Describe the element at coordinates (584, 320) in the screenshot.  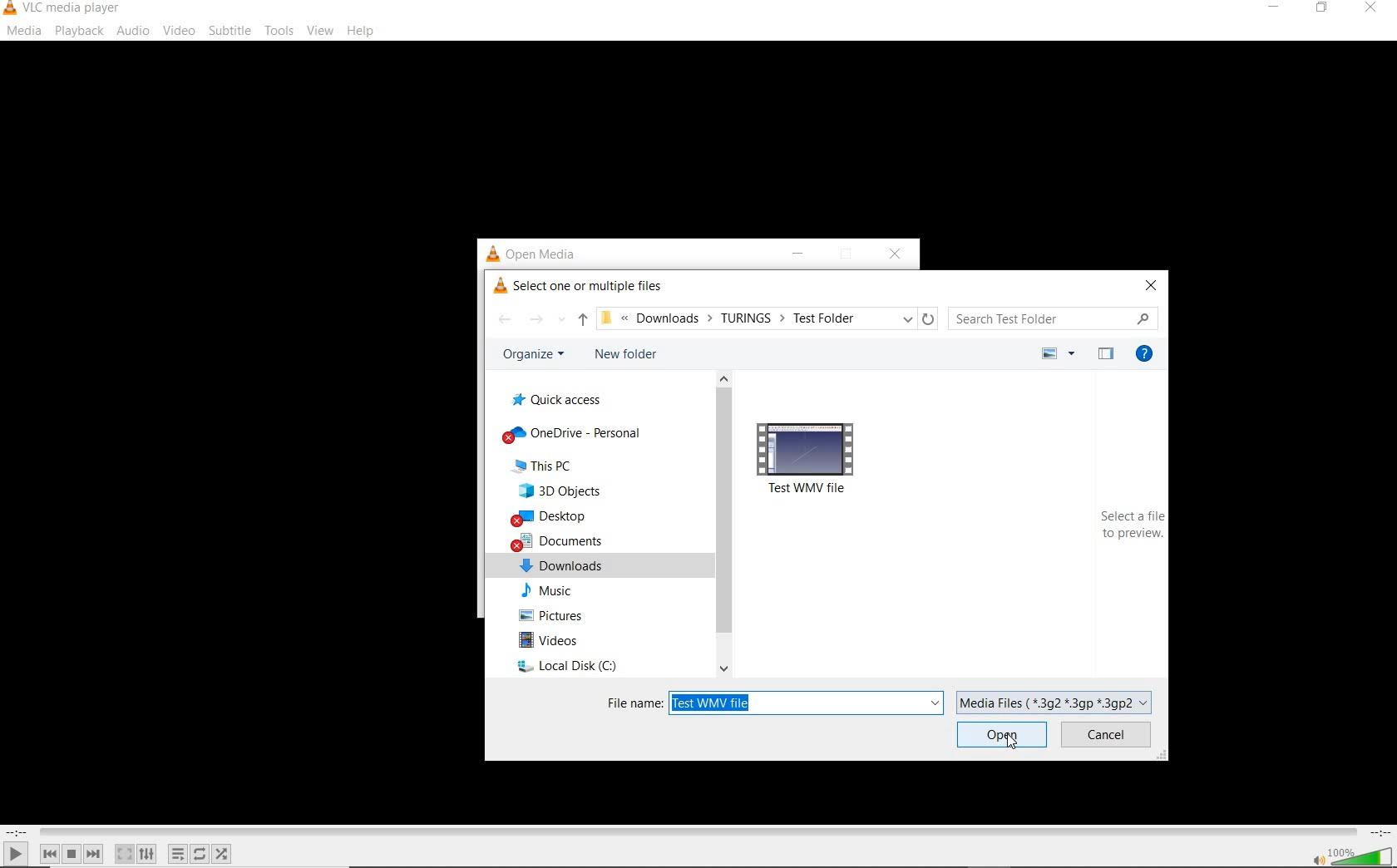
I see `up` at that location.